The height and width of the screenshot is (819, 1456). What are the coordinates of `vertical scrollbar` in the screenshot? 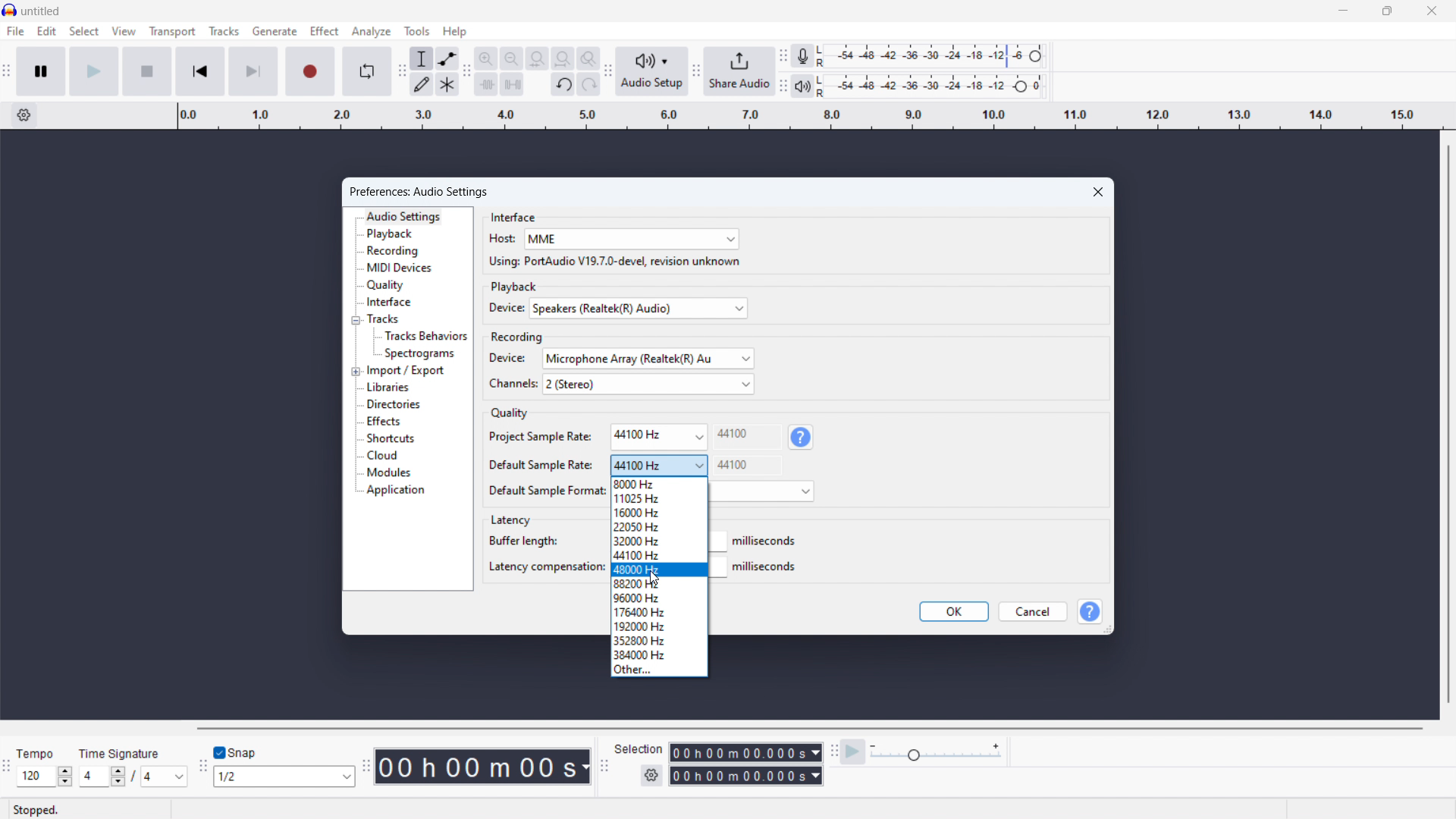 It's located at (1449, 422).